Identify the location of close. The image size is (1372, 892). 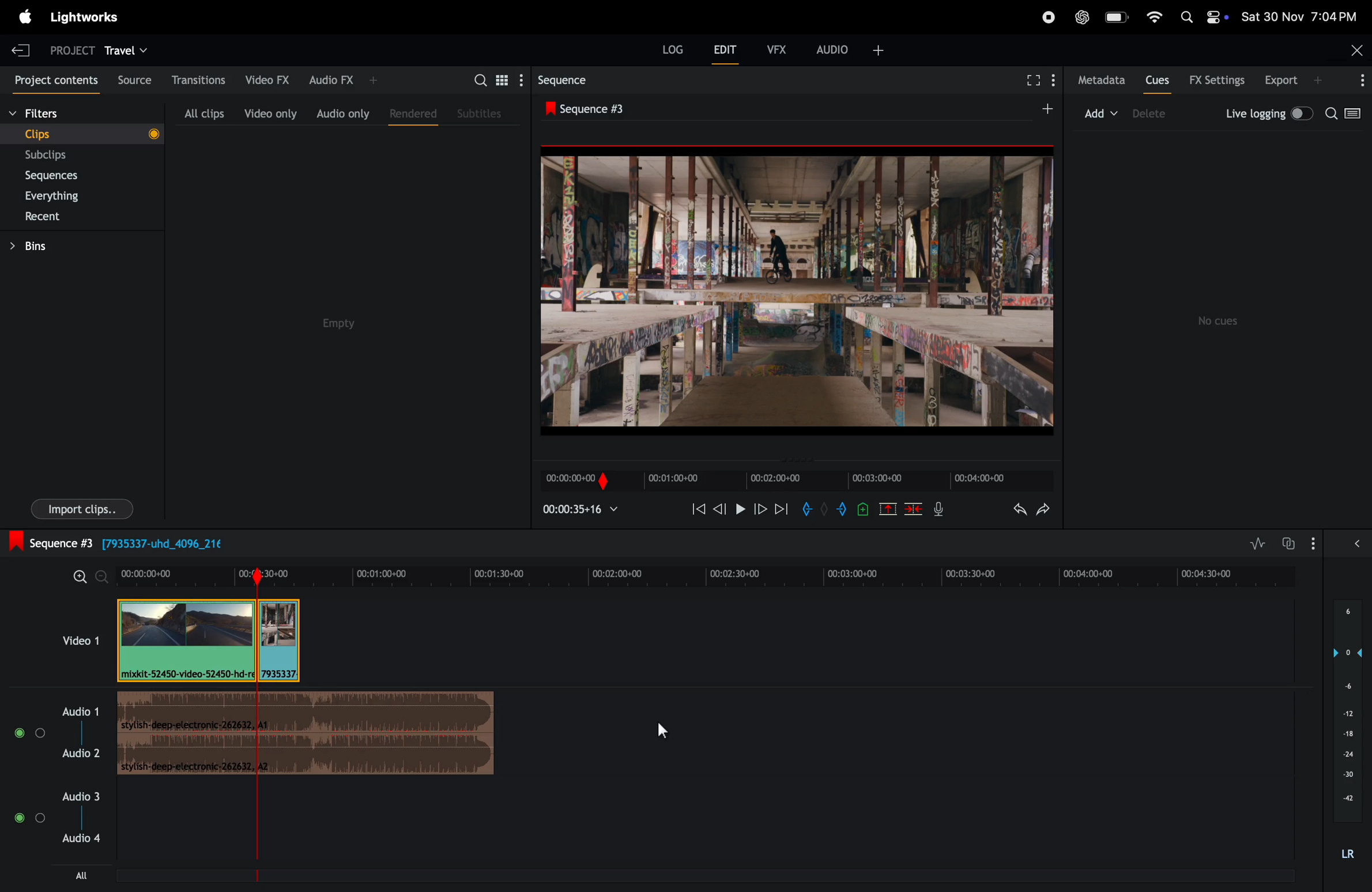
(1352, 50).